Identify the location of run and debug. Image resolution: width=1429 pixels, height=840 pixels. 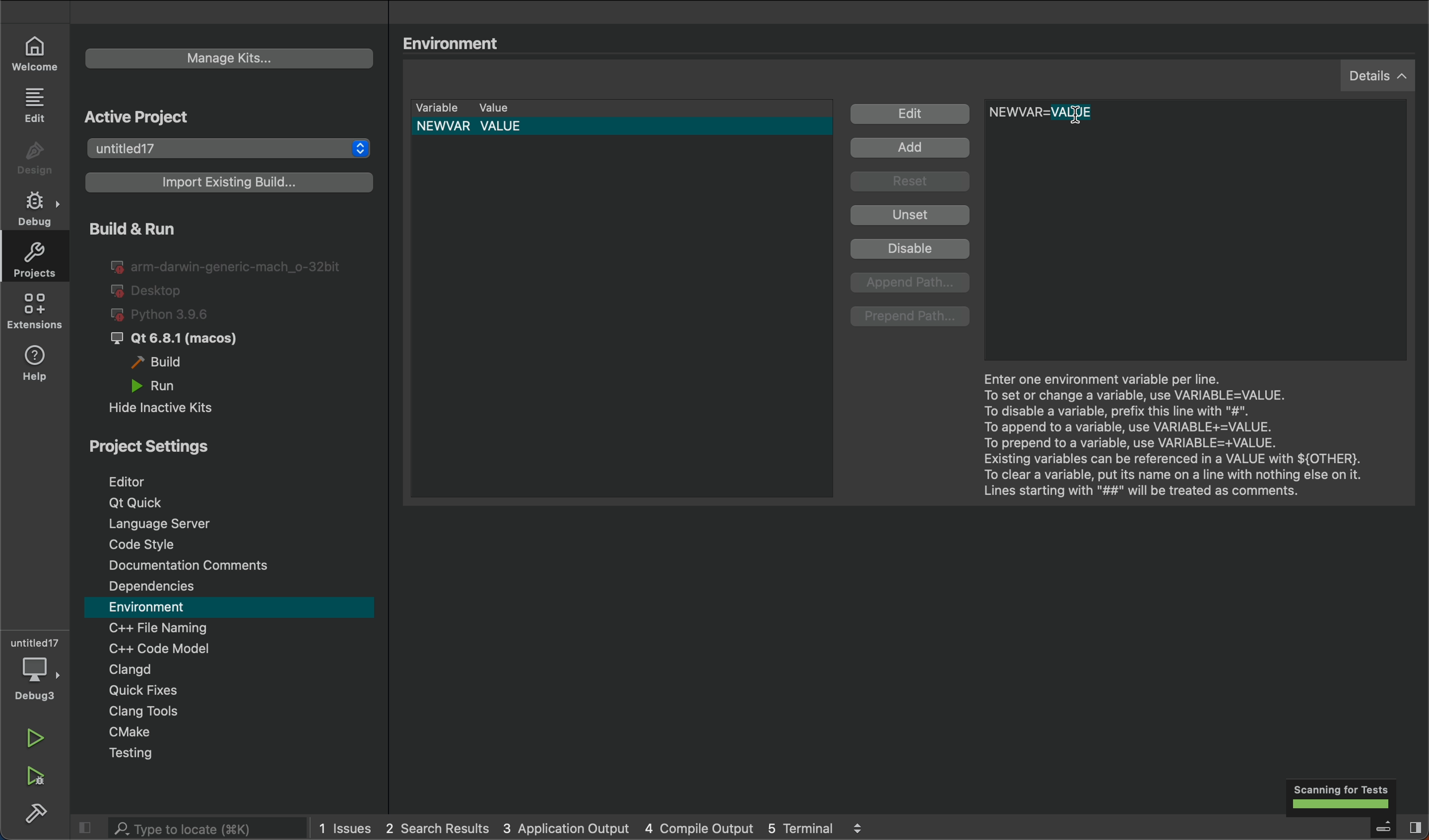
(40, 778).